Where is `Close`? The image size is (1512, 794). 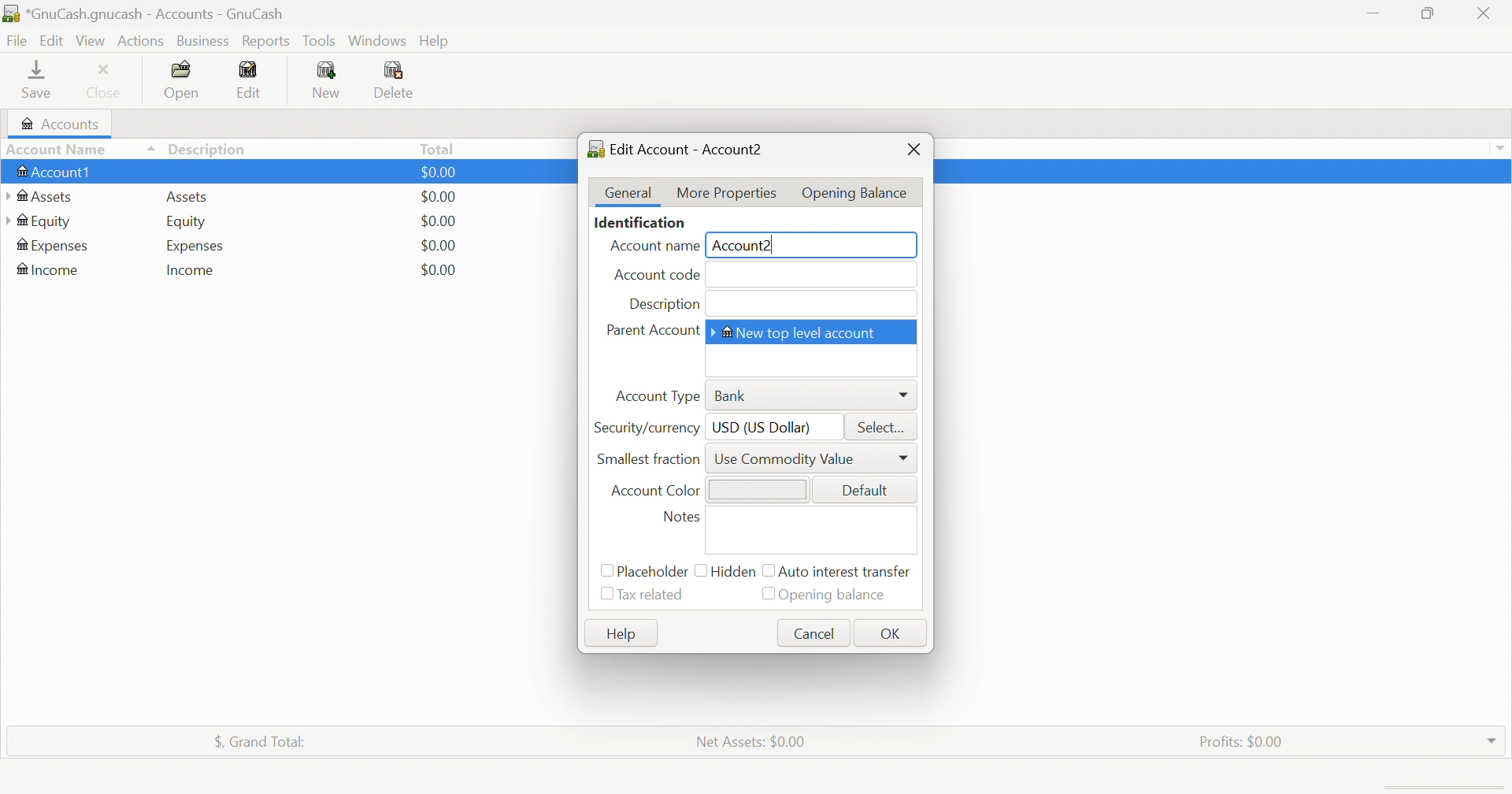 Close is located at coordinates (913, 148).